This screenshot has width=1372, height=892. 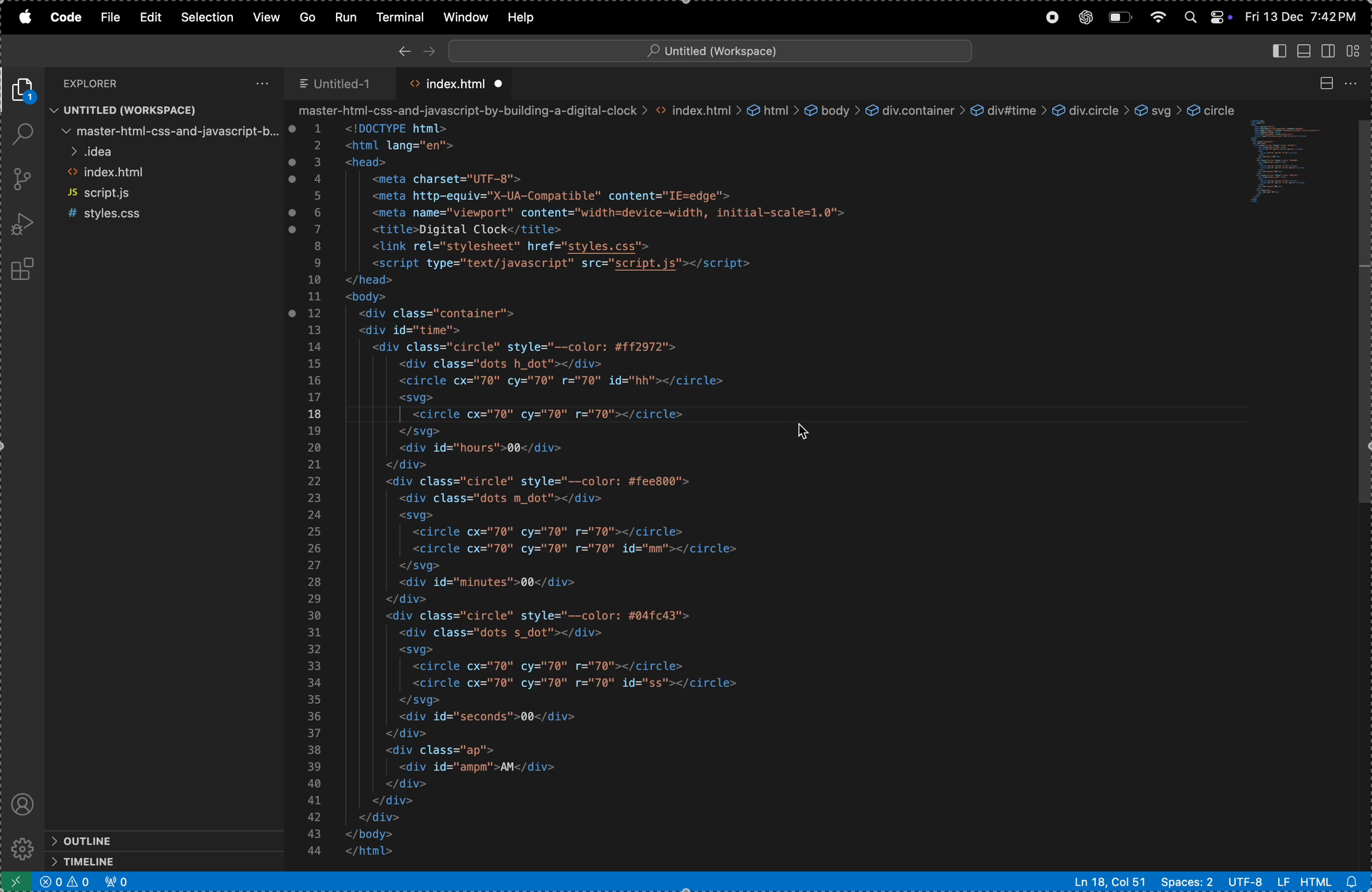 I want to click on <:DULITYFE Nntml>
<html lang="en">
<head>
<meta charset="UTF-8">
<meta http-equiv="X-UA-Compatible" content="IE=edge">
<meta name="viewport" content="width=device-width, initial-scale=1.0">
<title>Digital Clock</title>
<link rel="stylesheet" href="styles.css">
<script type="text/javascript" src="script.js"></script>
</head>
<body>
<div class="container">
<div id="time">
<div class="circle" style="--color: #ff2972">
<div class="dots h_dot"></div>
<circle cx="70" cy="70" r="70" id="hh"></circle>
<svg>
<circle cx="70" cy="70" r="70"></circle>
</svg> IN
<div id="hours">00</div>
</div>
<div class="circle" style="--color: #fee800">
<div class="dots m_dot"></div>
<svg>
<circle cx="70" cy="70" r="70"></circle>
<circle cx="70" cy="70" r="70" id="mm"></circle>
</svg>
<div id="minutes">00</div>
</div>
<div class="circle" style="--color: #04fc43">
<div class="dots s_dot"></div>
<svg>
<circle cx="70" cy="70" r="70"></circle>
<circle cx="70" cy="70" r="70" id="ss"></circle>
</svg>
<div id="seconds">00</div>
</div>
<div class="ap">
<div id="ampm">AM</div>
</div>
</div>
</div>
</body>
</html>, so click(x=636, y=493).